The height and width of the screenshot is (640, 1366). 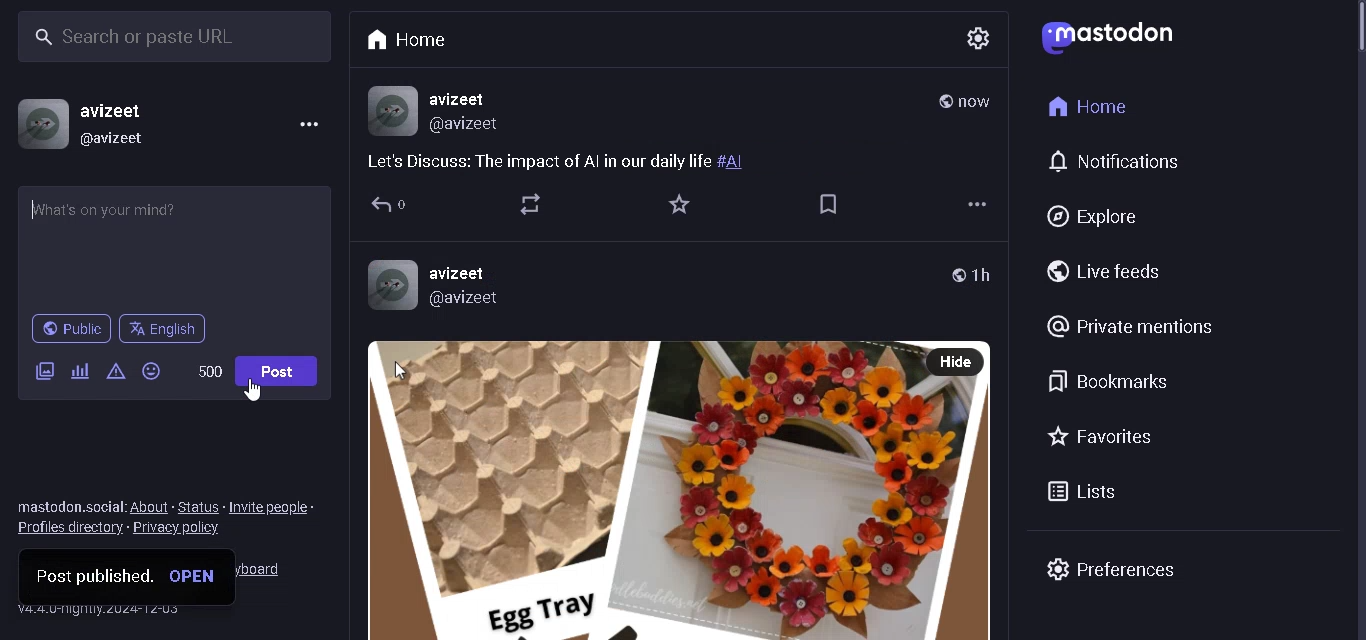 What do you see at coordinates (166, 328) in the screenshot?
I see `LANGUAGE` at bounding box center [166, 328].